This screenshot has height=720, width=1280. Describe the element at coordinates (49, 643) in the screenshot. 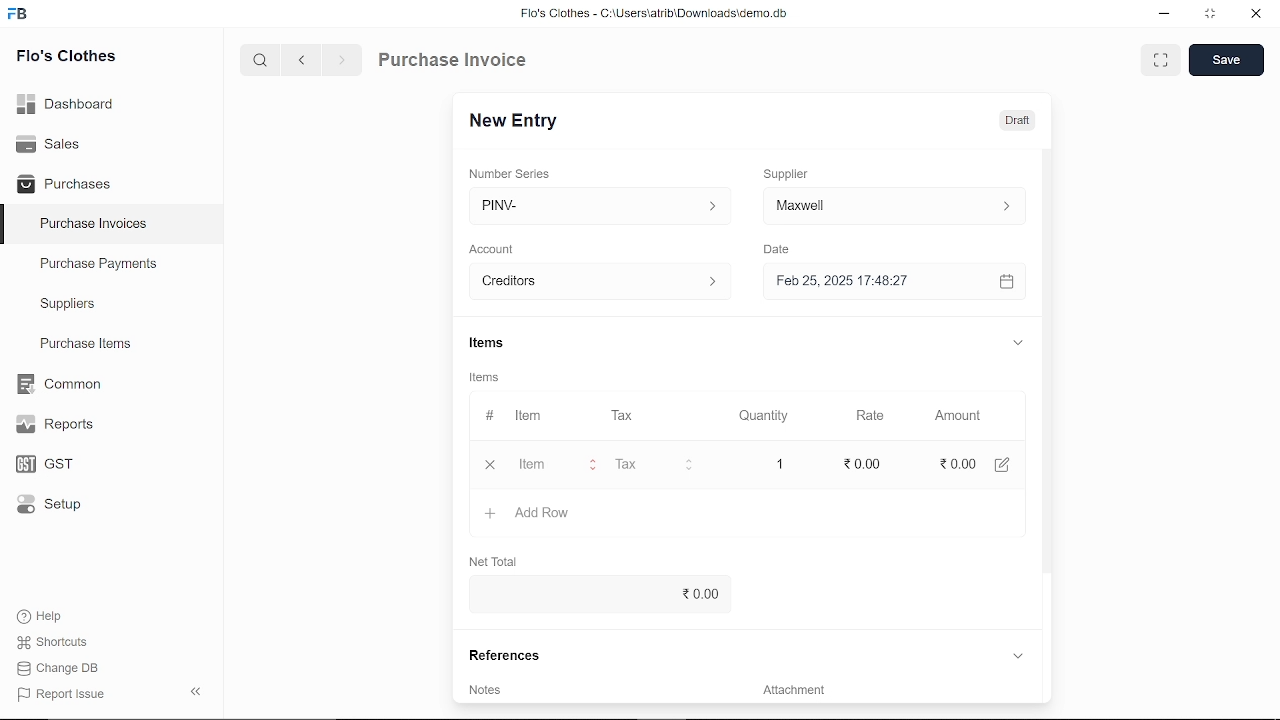

I see `Shortcuts` at that location.